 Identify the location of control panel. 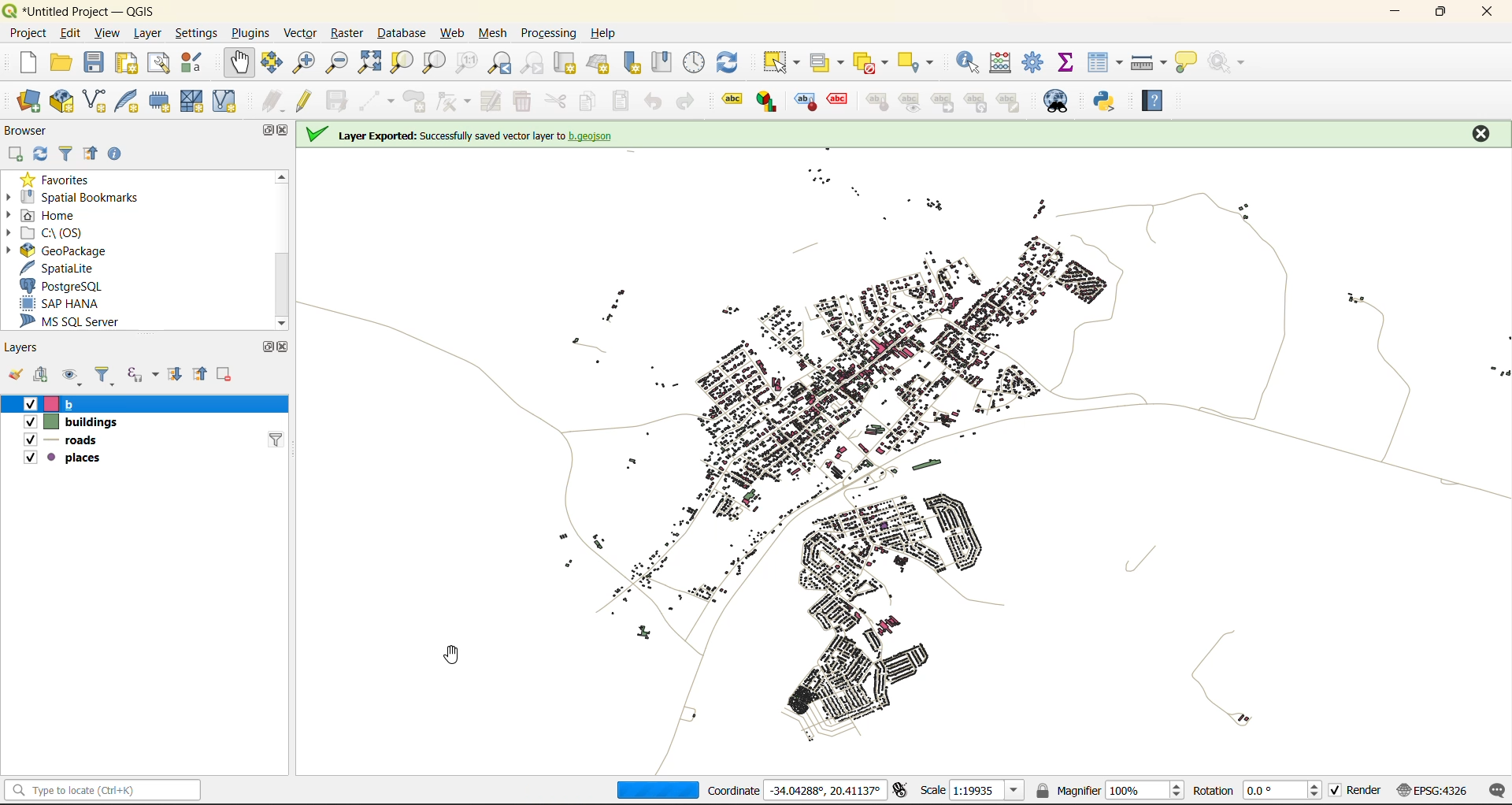
(695, 61).